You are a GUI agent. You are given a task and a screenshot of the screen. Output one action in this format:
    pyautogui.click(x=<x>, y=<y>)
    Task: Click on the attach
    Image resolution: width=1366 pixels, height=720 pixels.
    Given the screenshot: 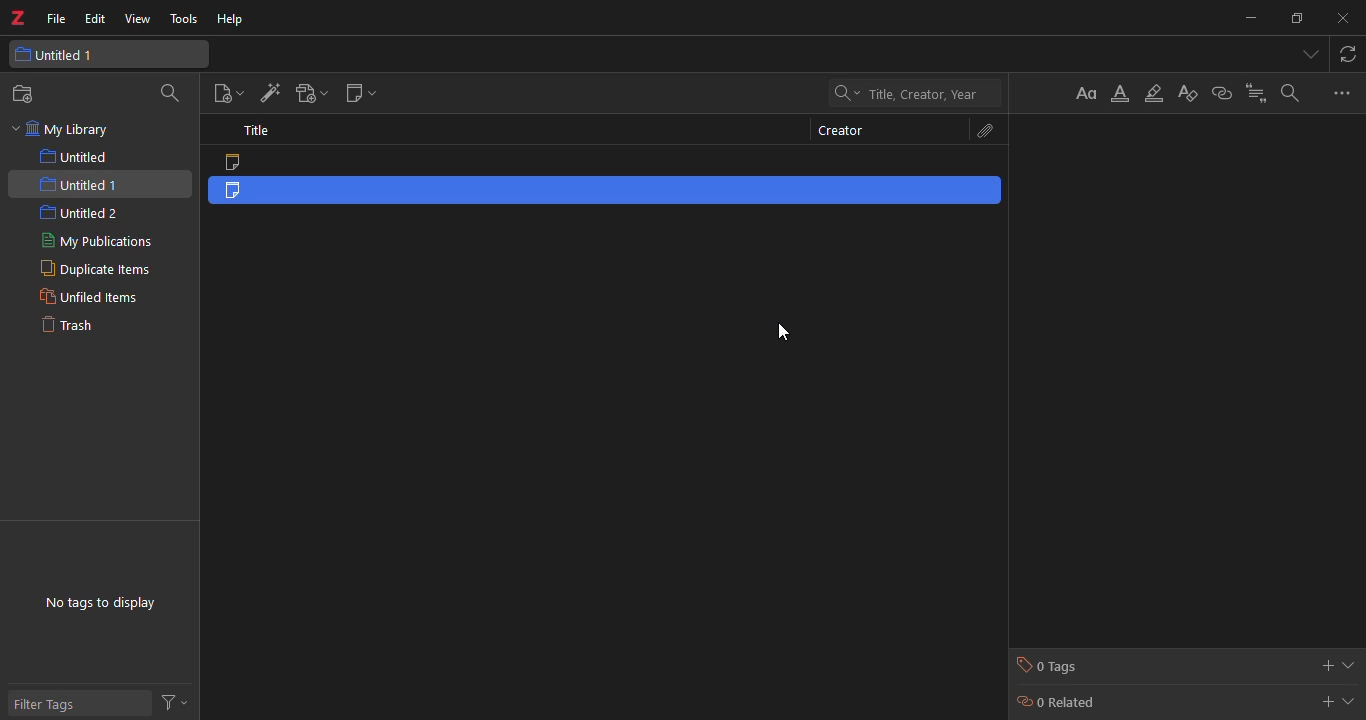 What is the action you would take?
    pyautogui.click(x=976, y=131)
    